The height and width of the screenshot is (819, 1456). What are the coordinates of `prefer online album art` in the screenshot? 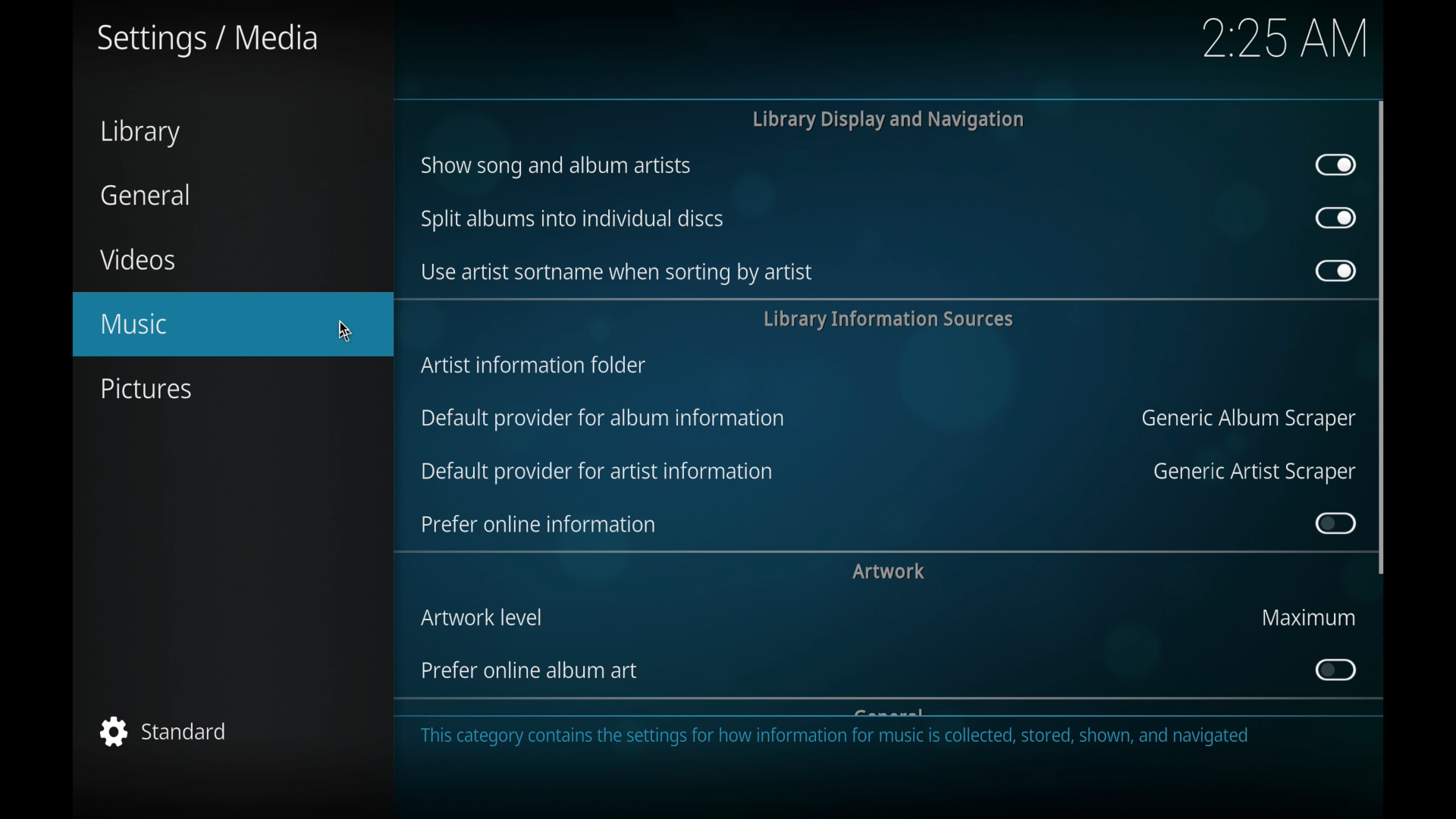 It's located at (528, 670).